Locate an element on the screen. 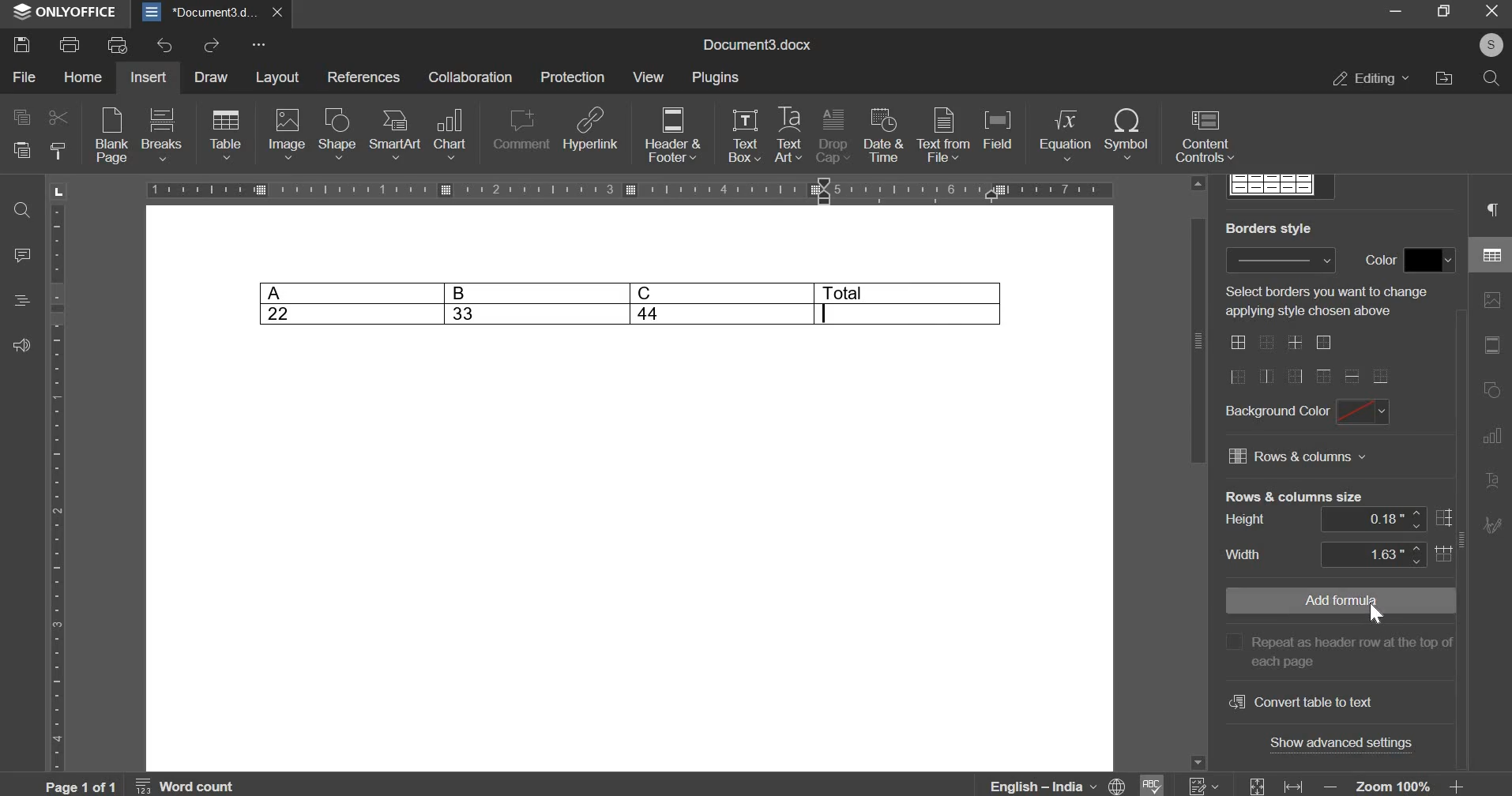 The height and width of the screenshot is (796, 1512). image settings is located at coordinates (1492, 299).